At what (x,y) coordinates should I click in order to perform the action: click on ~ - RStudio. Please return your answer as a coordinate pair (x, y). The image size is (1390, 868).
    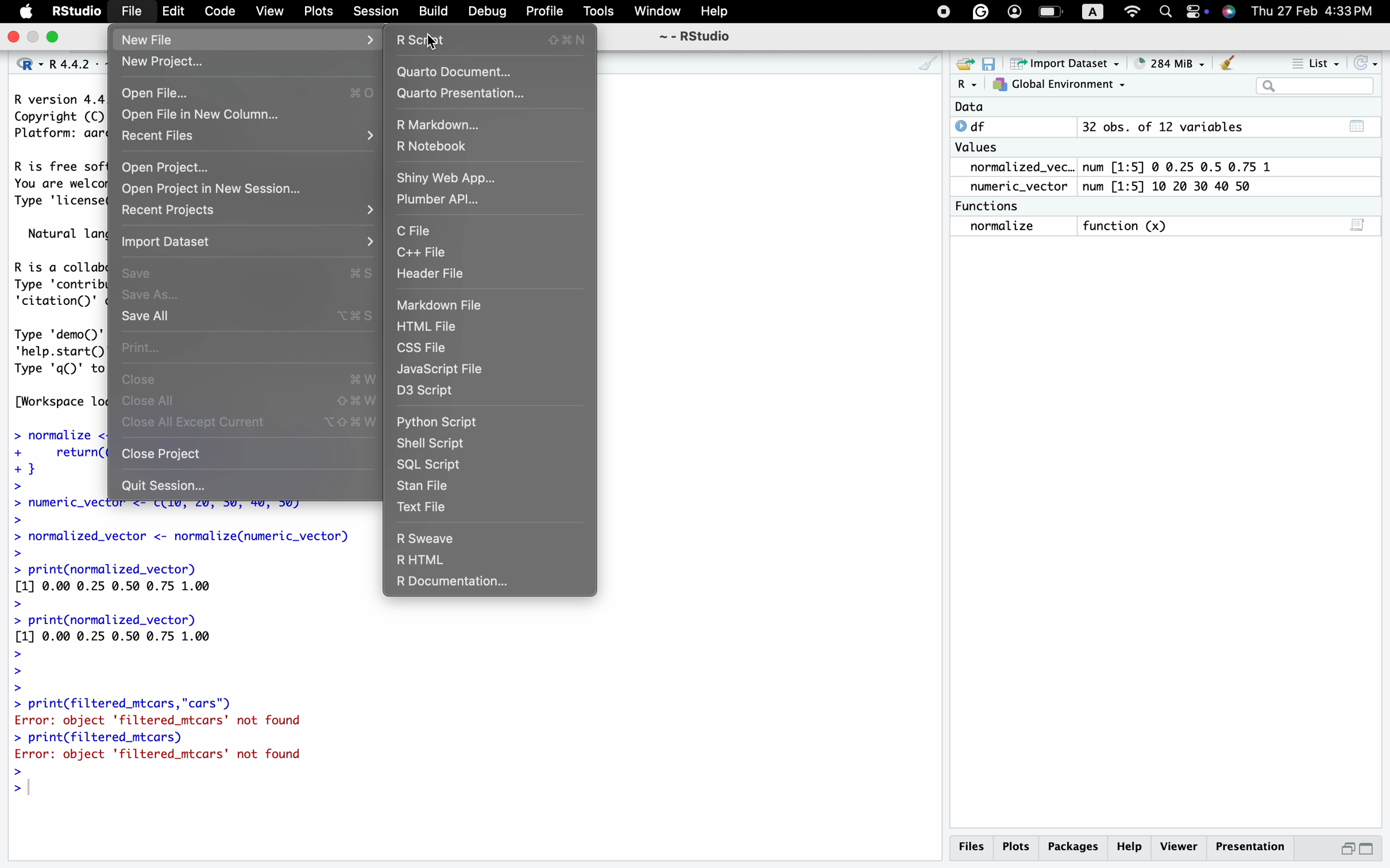
    Looking at the image, I should click on (700, 36).